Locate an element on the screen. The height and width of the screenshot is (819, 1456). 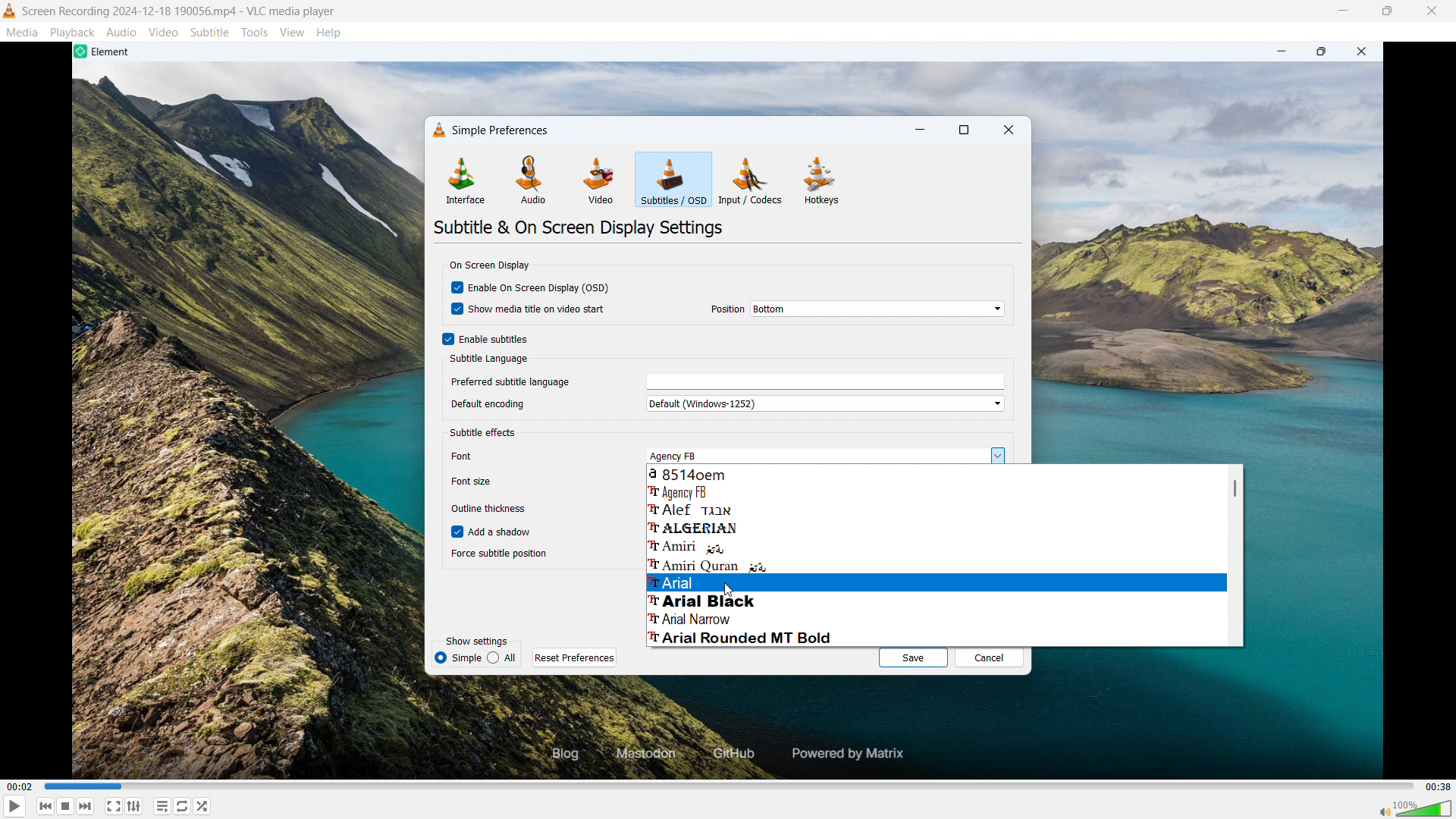
arial is located at coordinates (936, 583).